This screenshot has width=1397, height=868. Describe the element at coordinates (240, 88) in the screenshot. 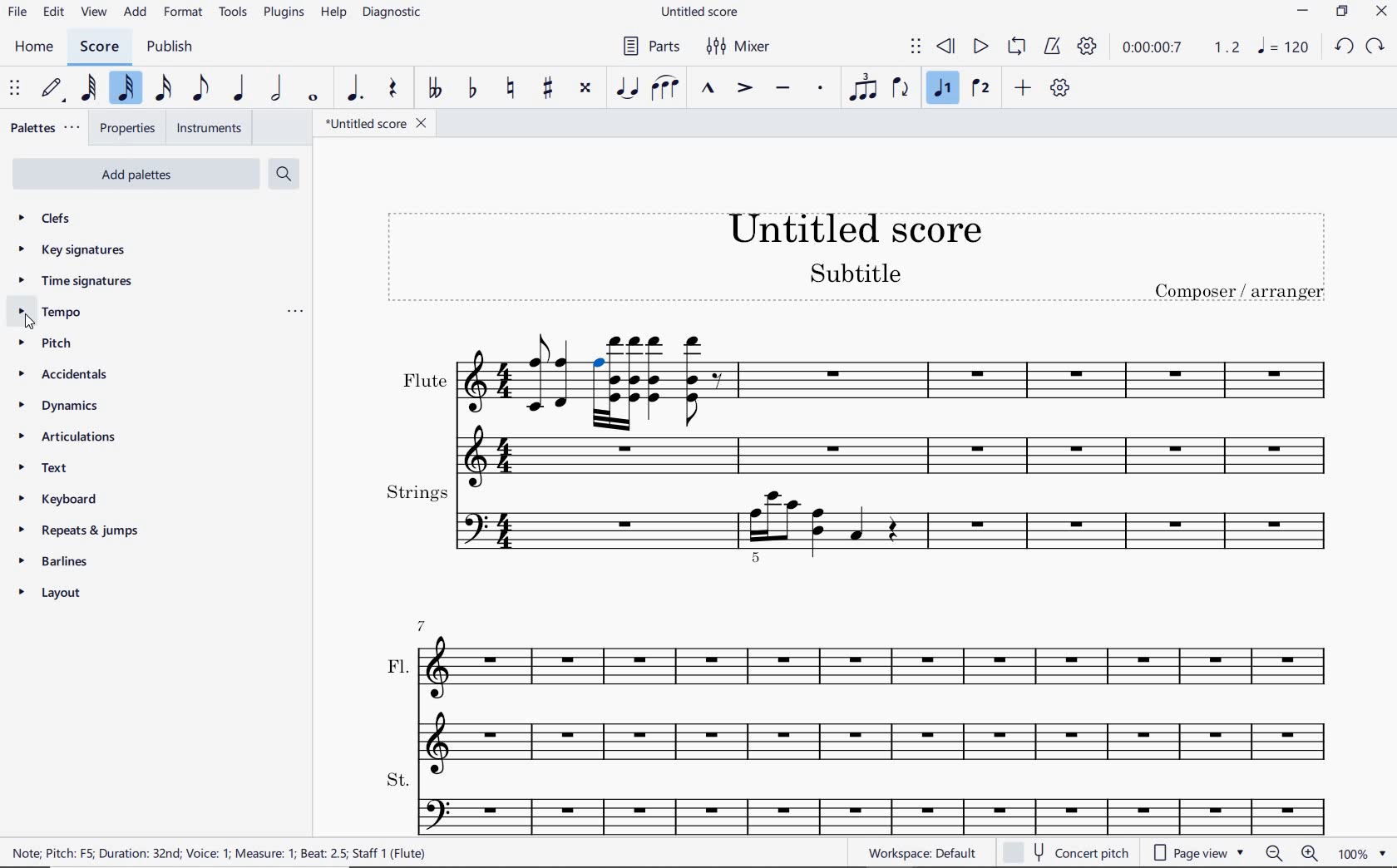

I see `QUARTER NOTE` at that location.